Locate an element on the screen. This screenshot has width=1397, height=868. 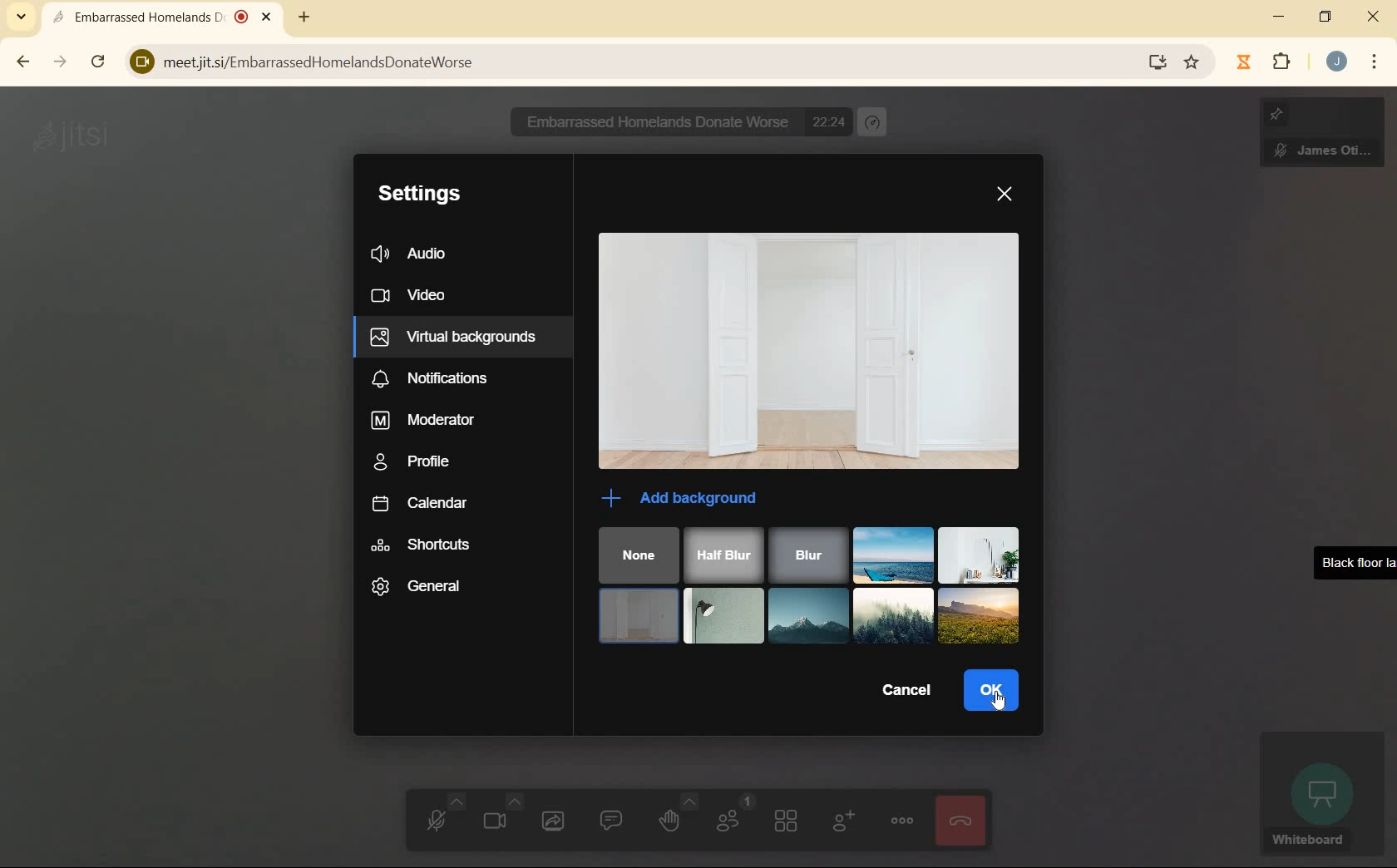
profile is located at coordinates (413, 461).